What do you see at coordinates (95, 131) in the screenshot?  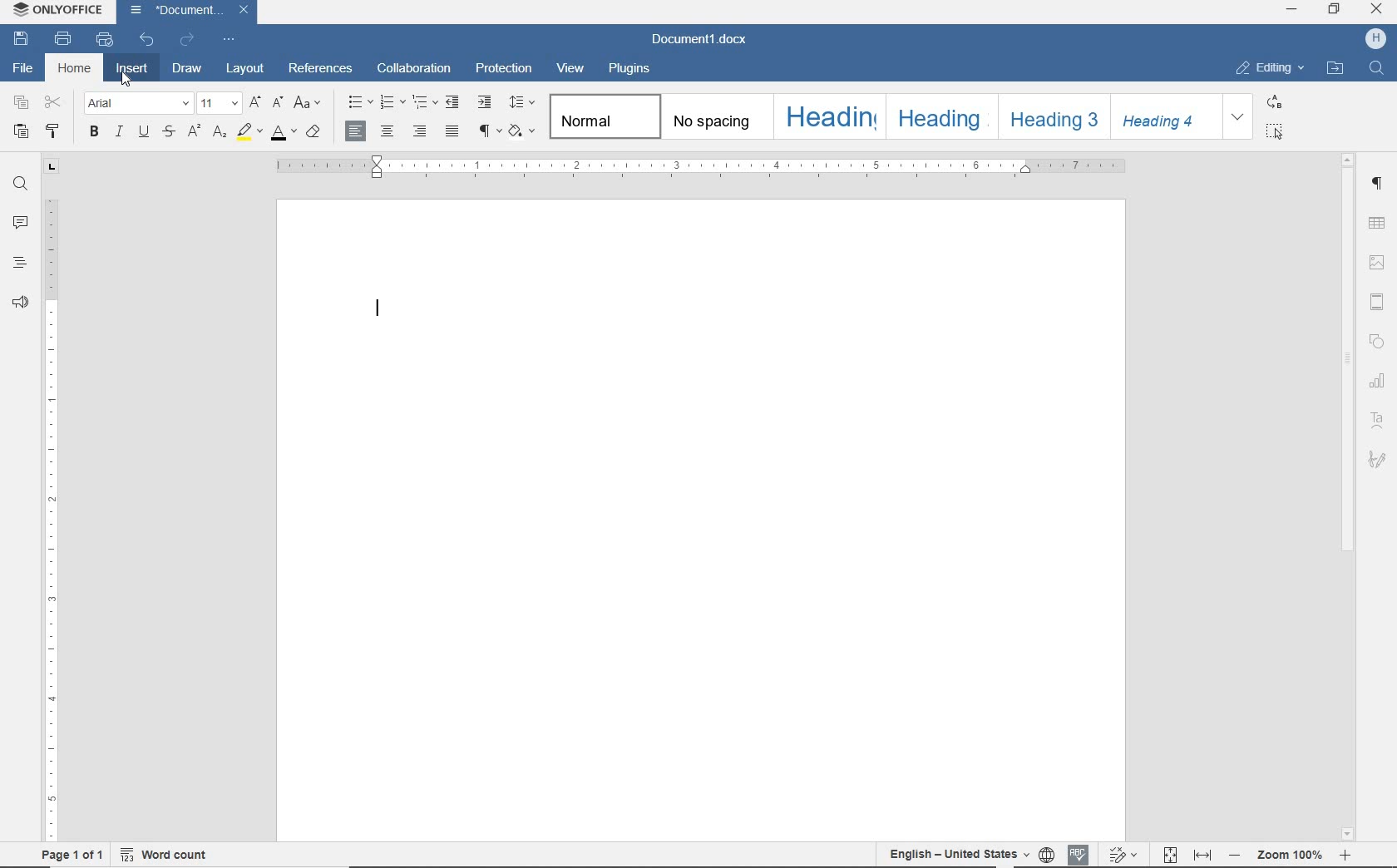 I see `bold` at bounding box center [95, 131].